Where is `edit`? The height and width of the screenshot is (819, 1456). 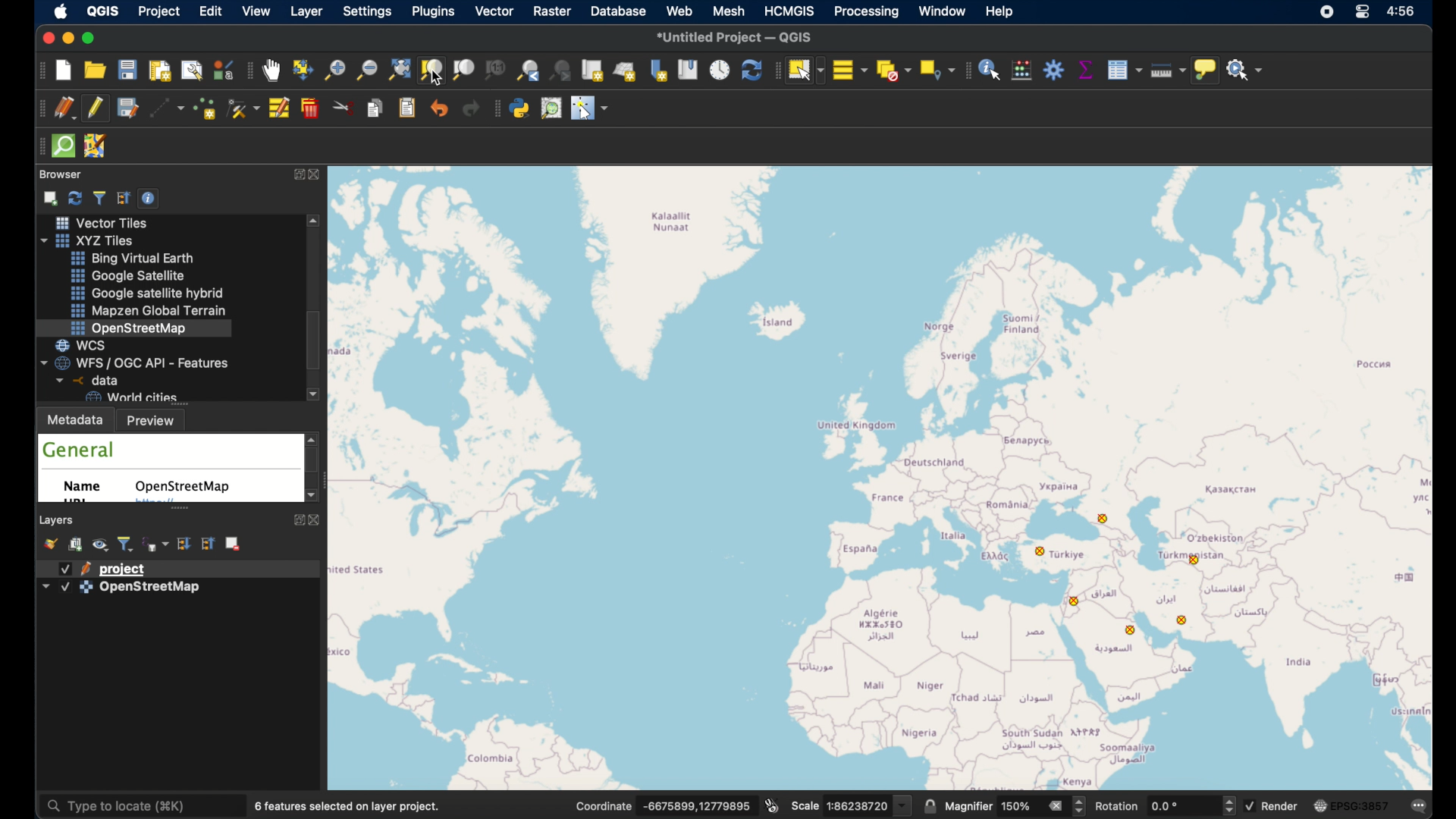
edit is located at coordinates (212, 11).